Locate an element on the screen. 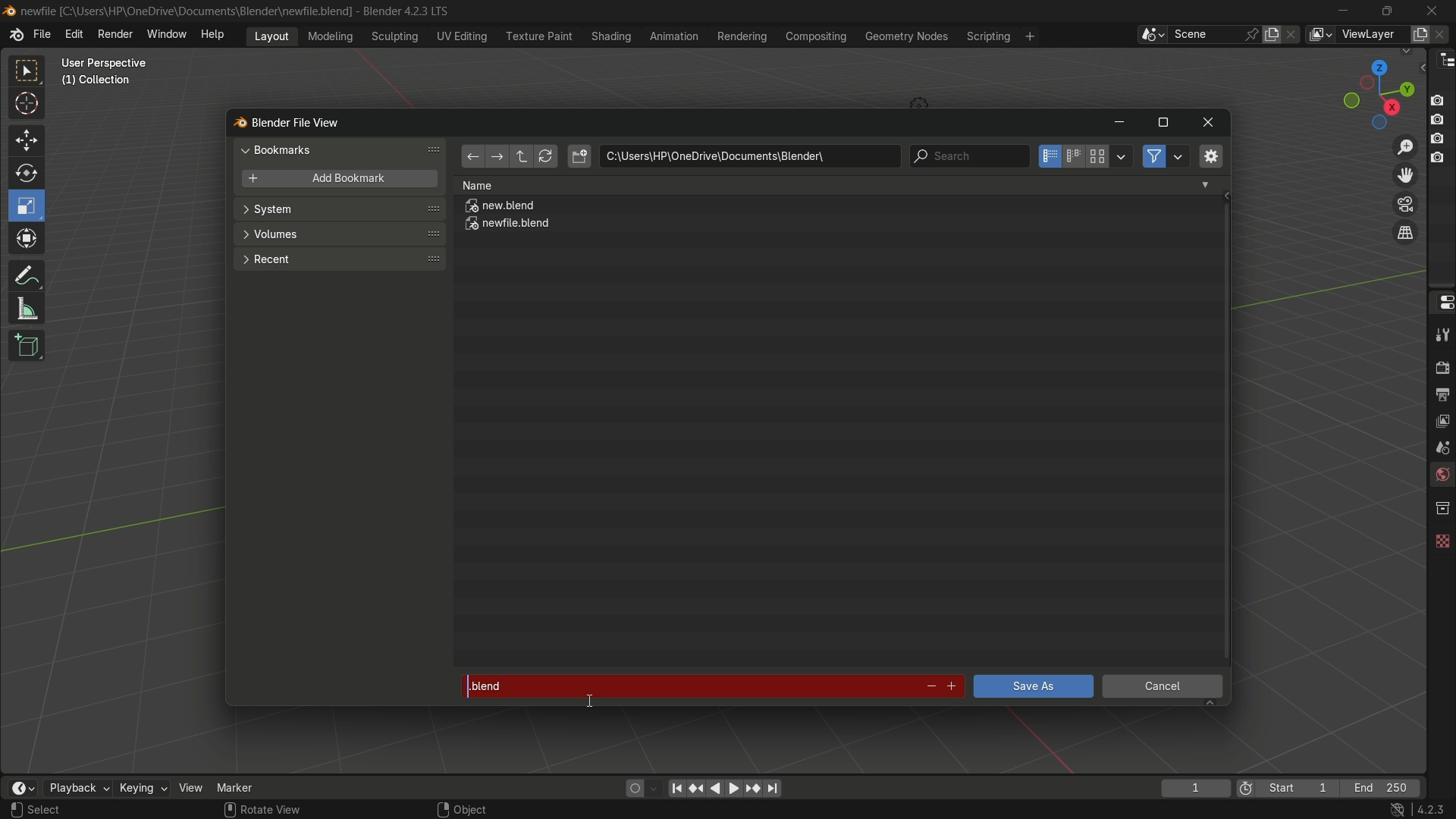 The width and height of the screenshot is (1456, 819). Collection is located at coordinates (99, 83).